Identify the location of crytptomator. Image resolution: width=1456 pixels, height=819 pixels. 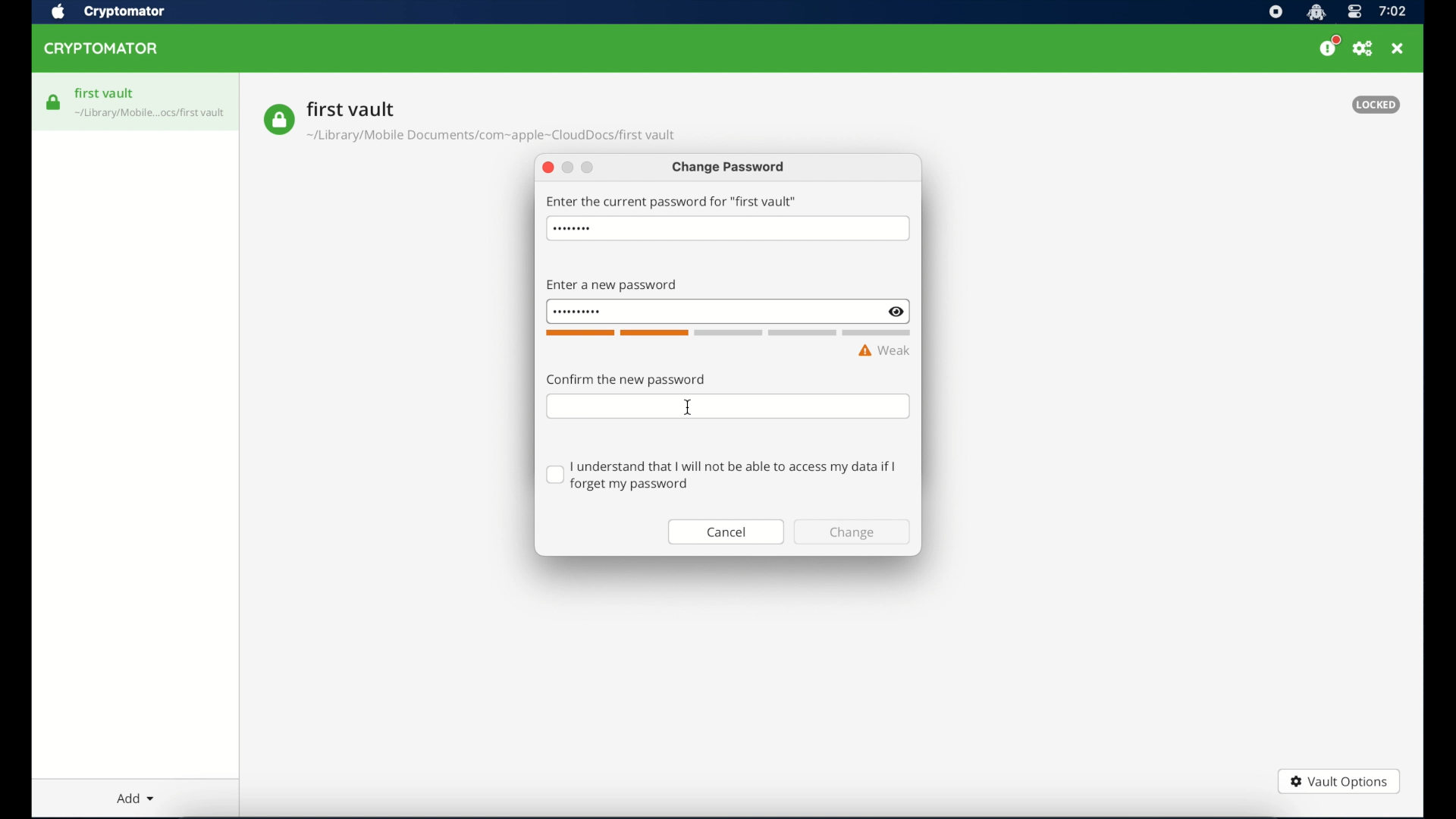
(124, 13).